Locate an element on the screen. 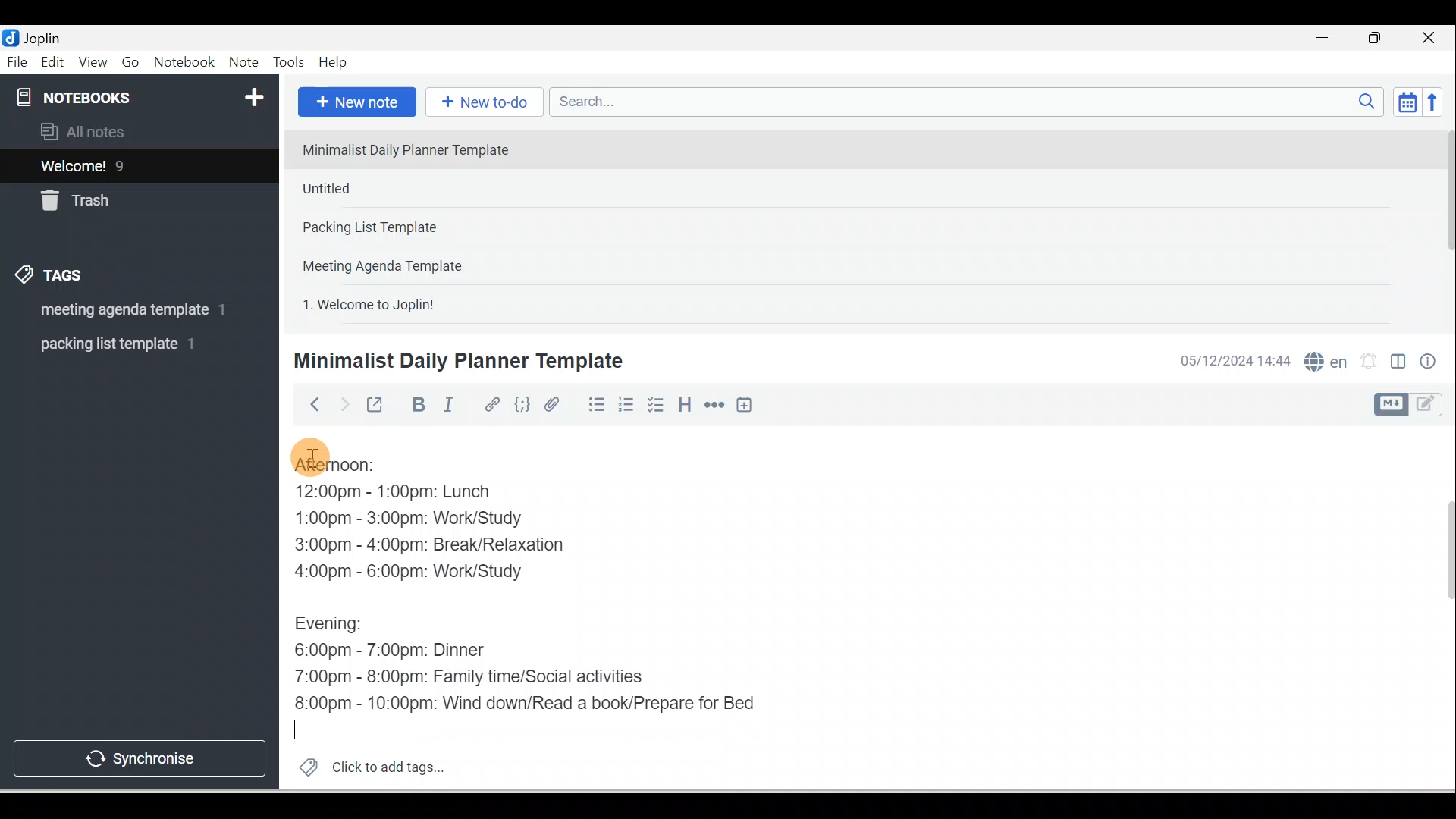 This screenshot has width=1456, height=819. Toggle editors is located at coordinates (1398, 364).